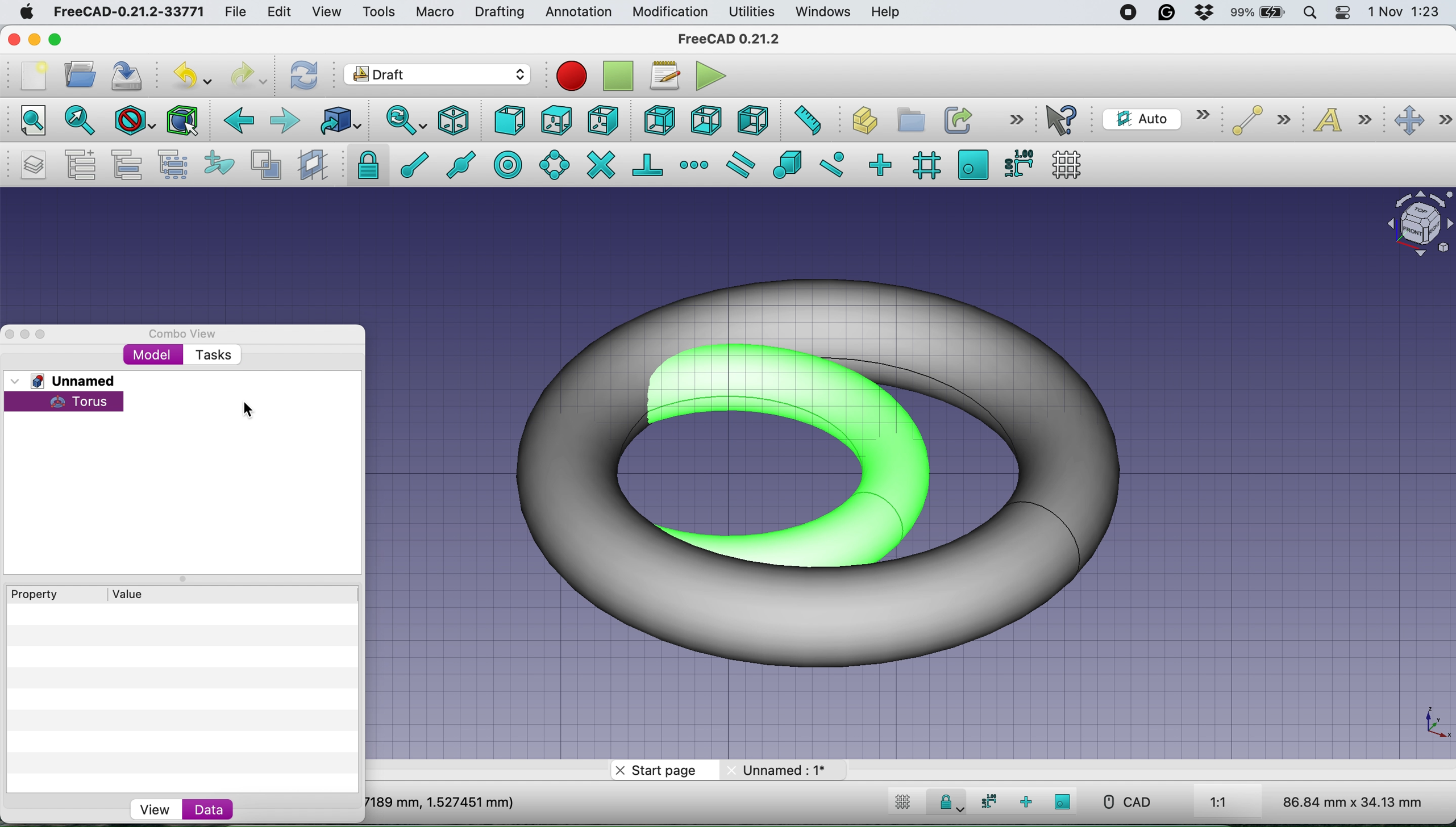  I want to click on drafting, so click(499, 13).